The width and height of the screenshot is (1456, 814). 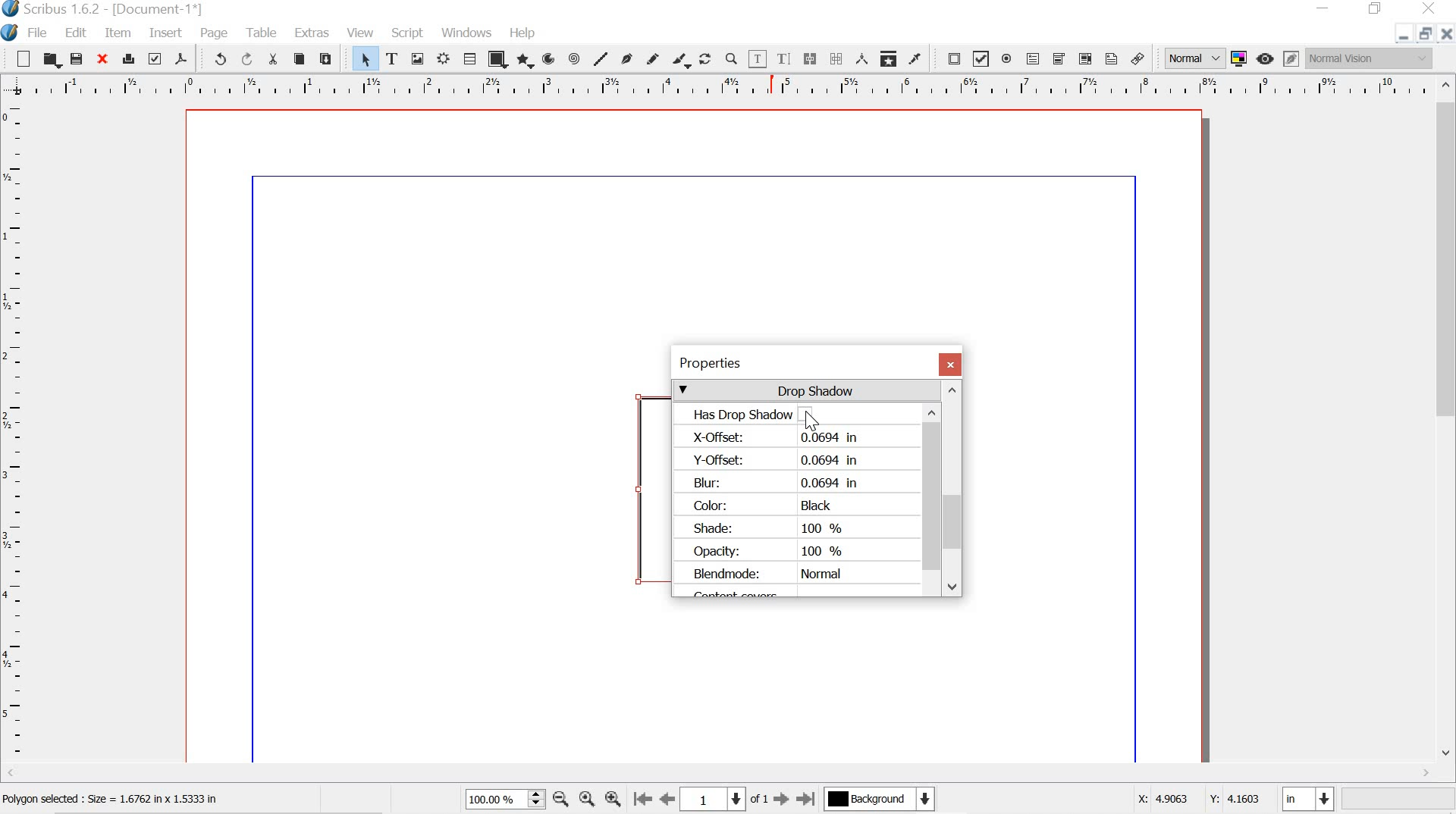 I want to click on go to next page, so click(x=781, y=802).